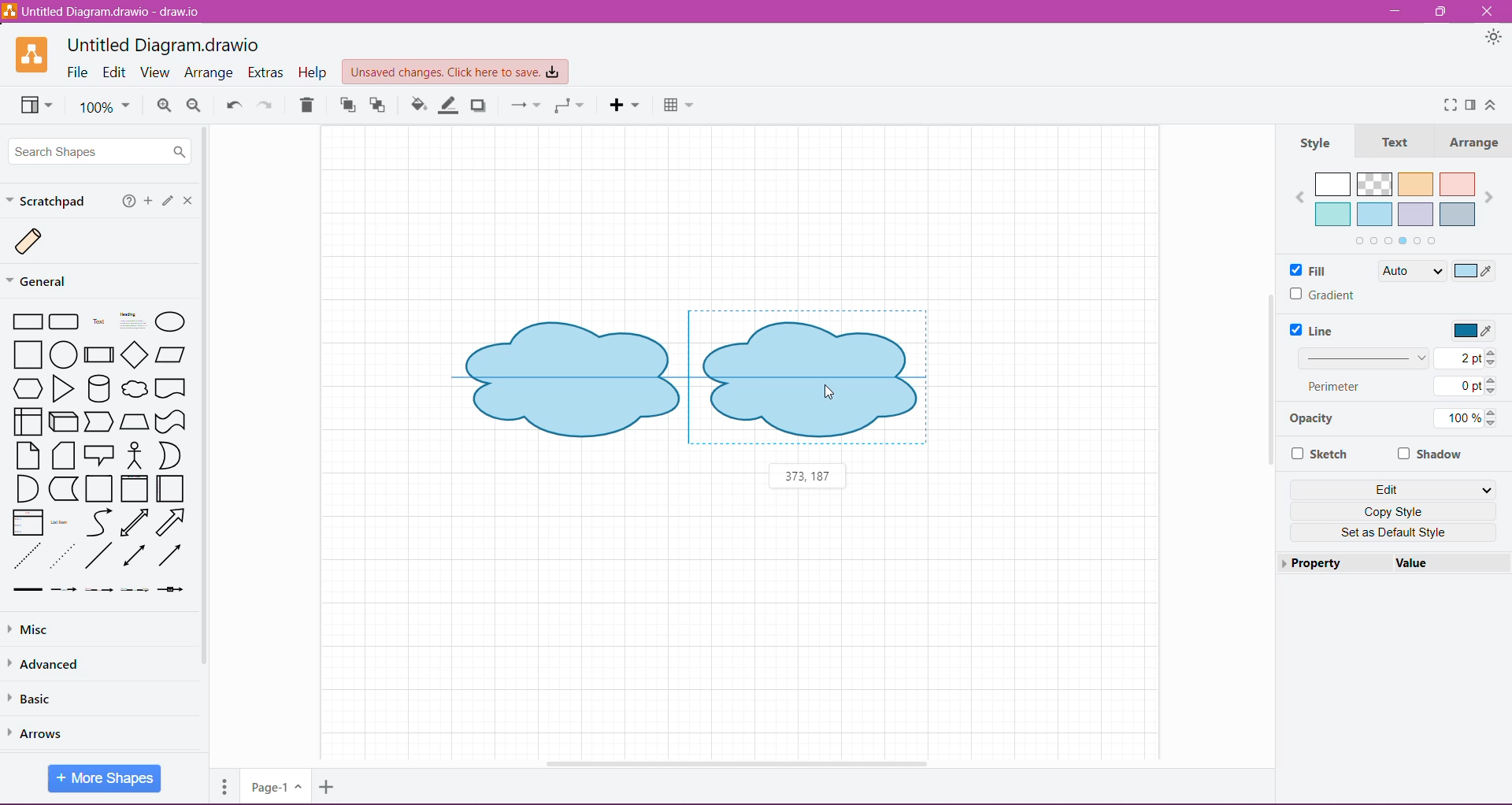 Image resolution: width=1512 pixels, height=805 pixels. Describe the element at coordinates (191, 202) in the screenshot. I see `Close` at that location.